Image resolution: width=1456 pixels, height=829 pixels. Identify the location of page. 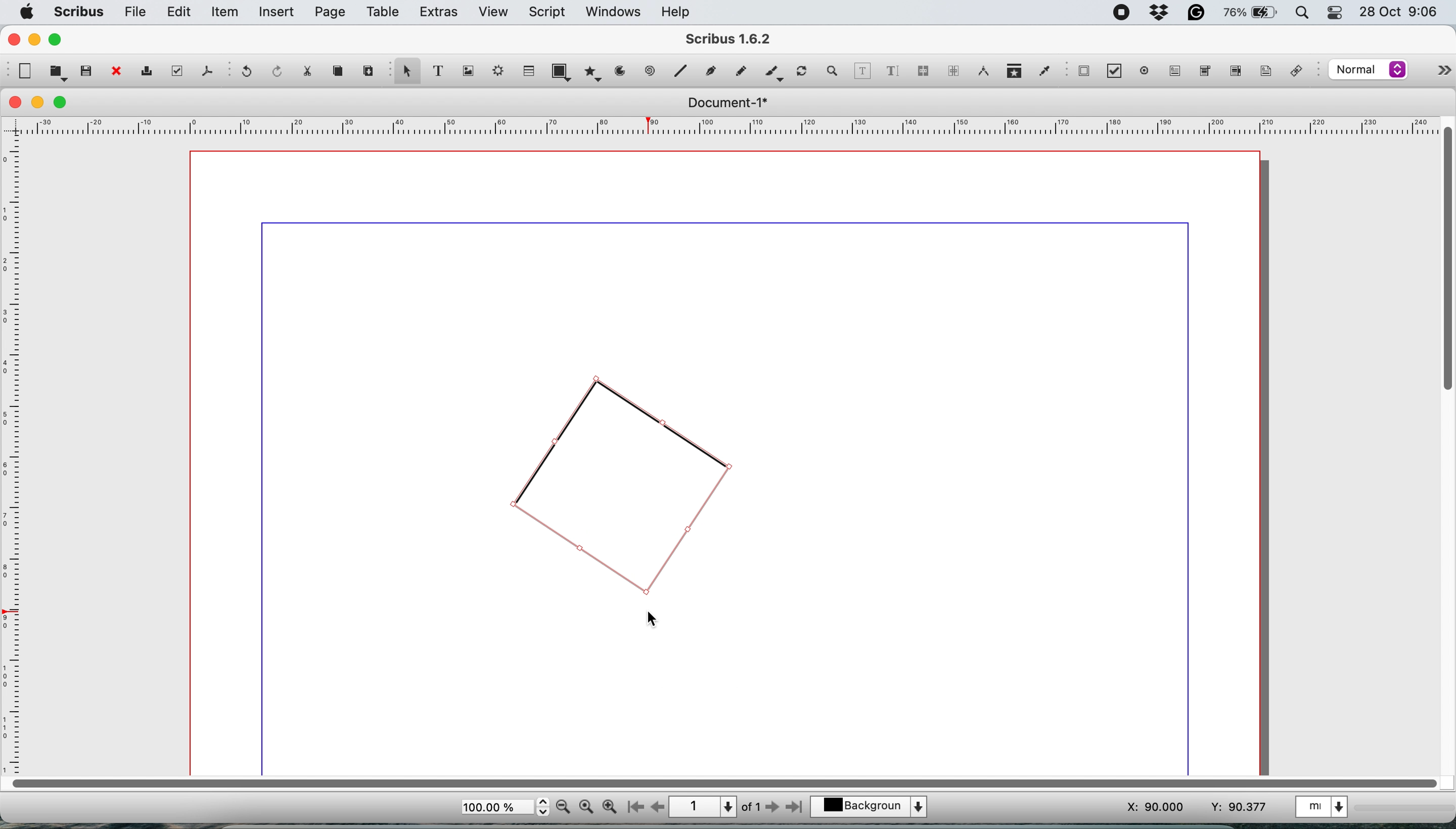
(330, 13).